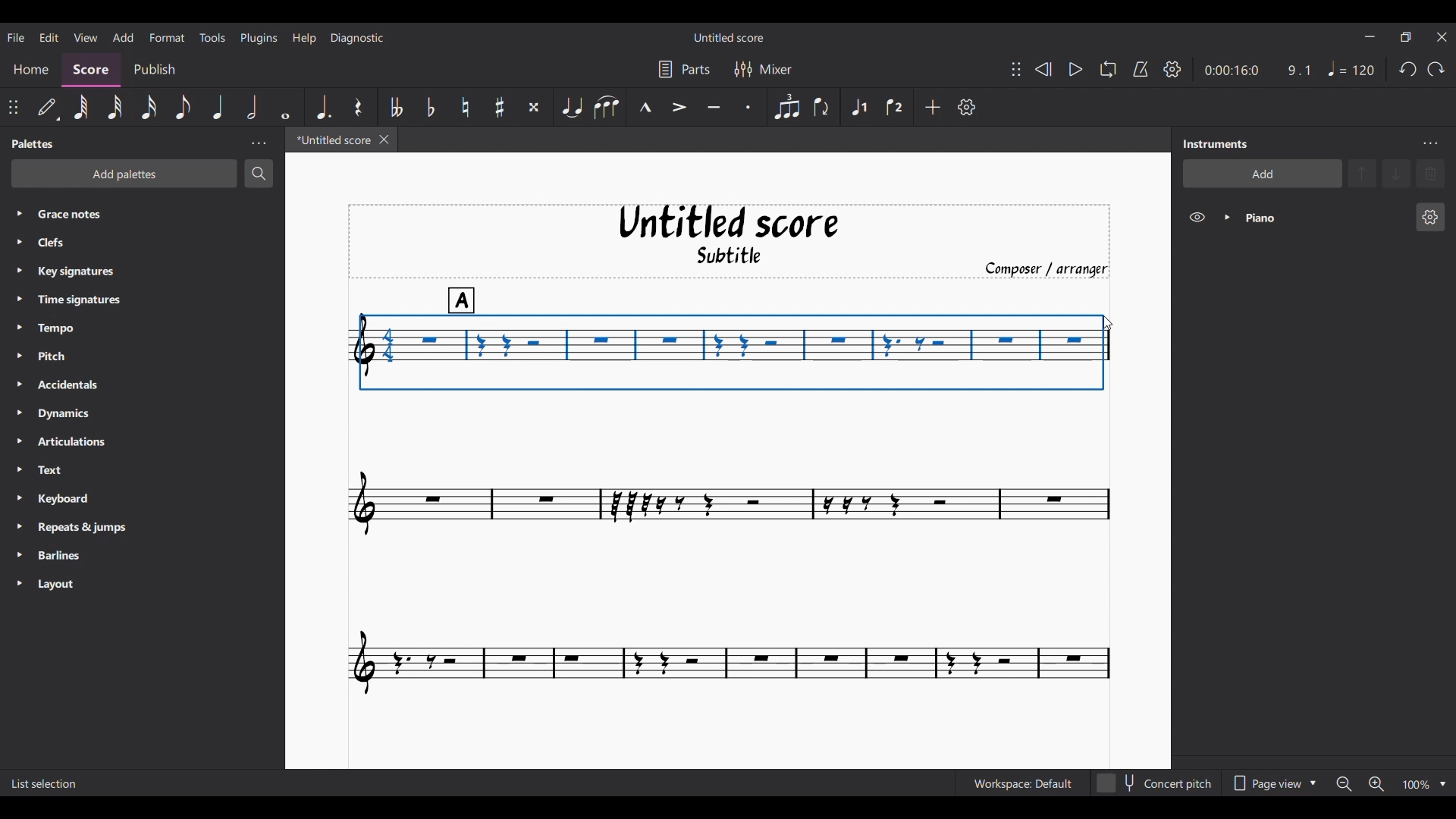 The width and height of the screenshot is (1456, 819). I want to click on Minimize, so click(1369, 36).